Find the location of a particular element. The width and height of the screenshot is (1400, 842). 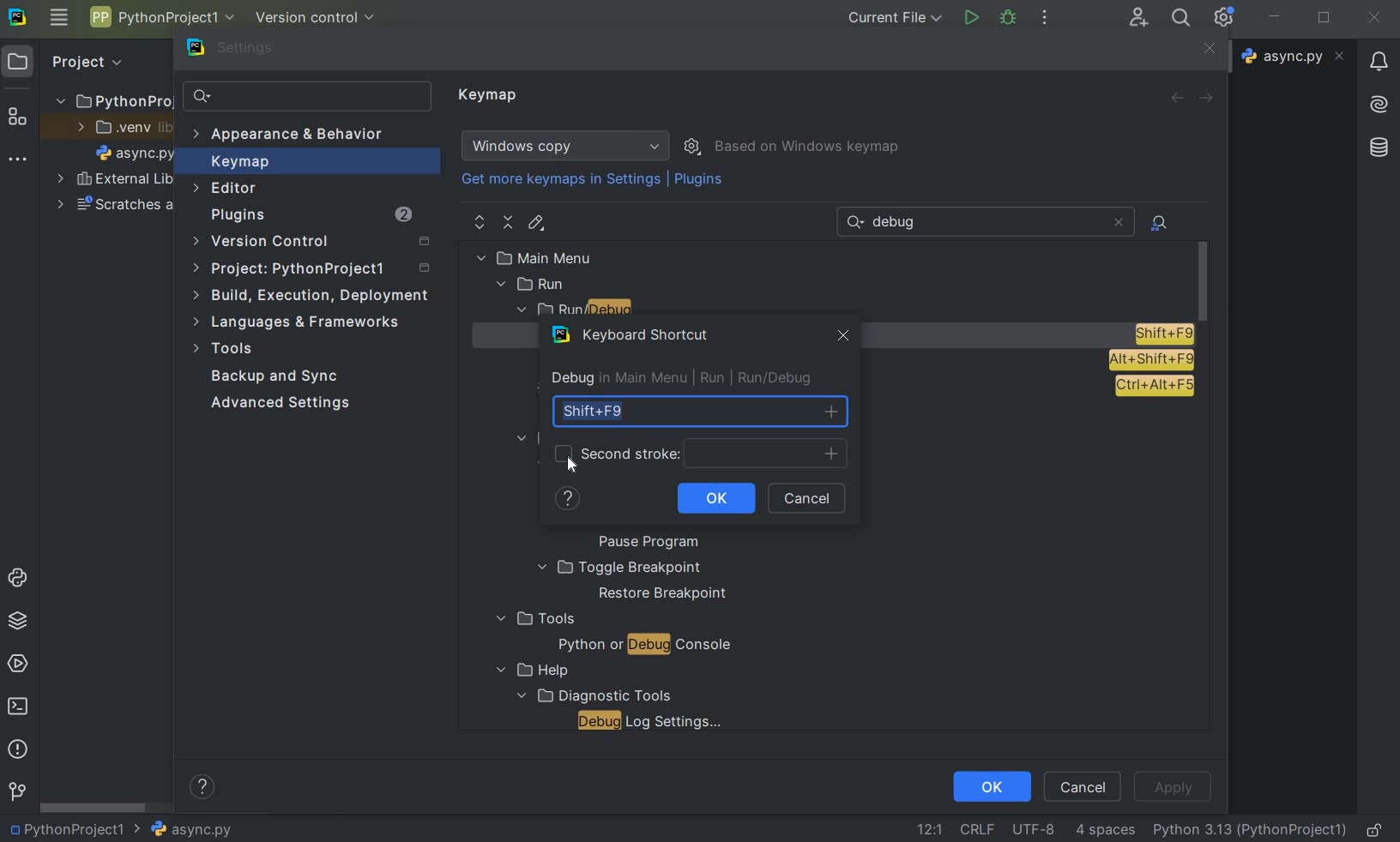

file name is located at coordinates (183, 829).